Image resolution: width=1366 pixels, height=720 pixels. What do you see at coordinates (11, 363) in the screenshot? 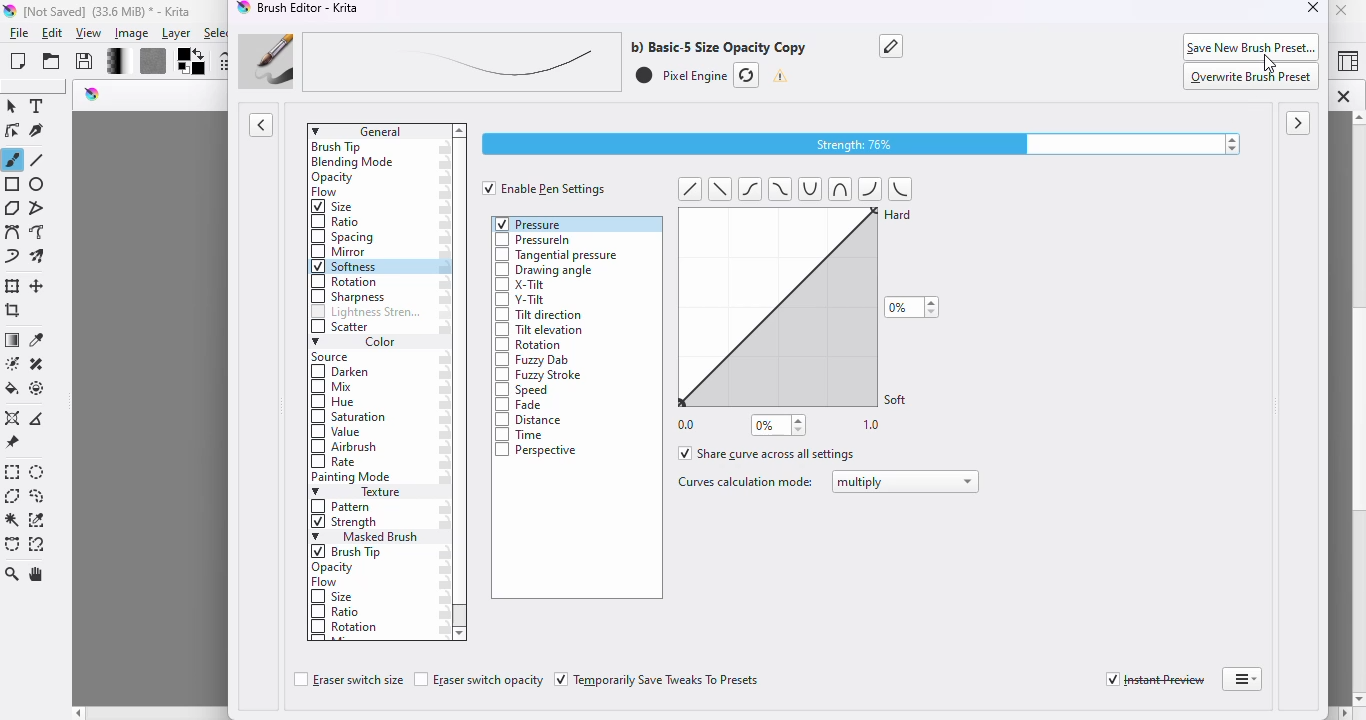
I see `colorize mask tool` at bounding box center [11, 363].